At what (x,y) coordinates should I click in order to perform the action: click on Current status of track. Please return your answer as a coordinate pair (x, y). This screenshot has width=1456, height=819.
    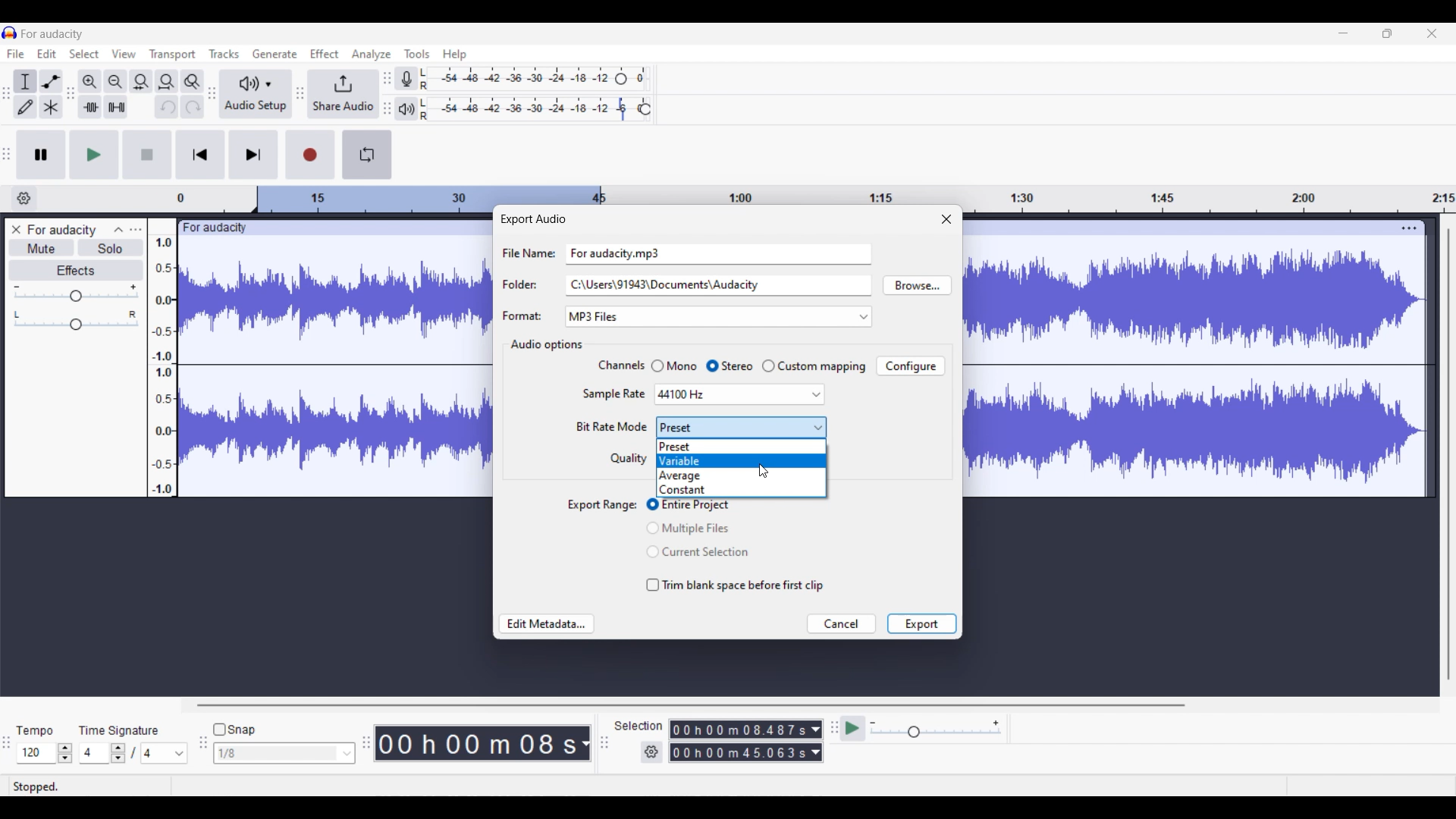
    Looking at the image, I should click on (36, 786).